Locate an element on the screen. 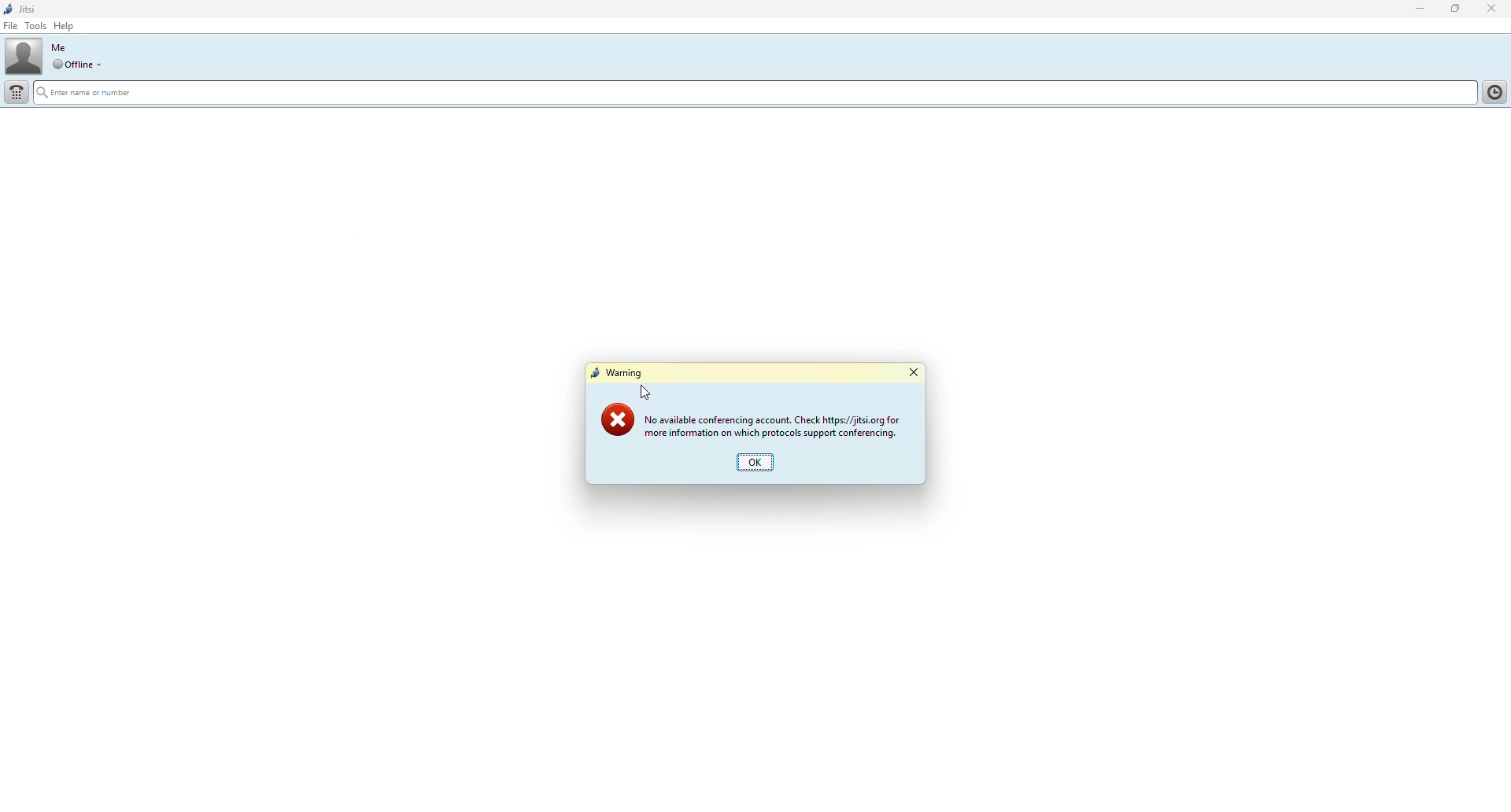 Image resolution: width=1511 pixels, height=812 pixels. warning is located at coordinates (619, 375).